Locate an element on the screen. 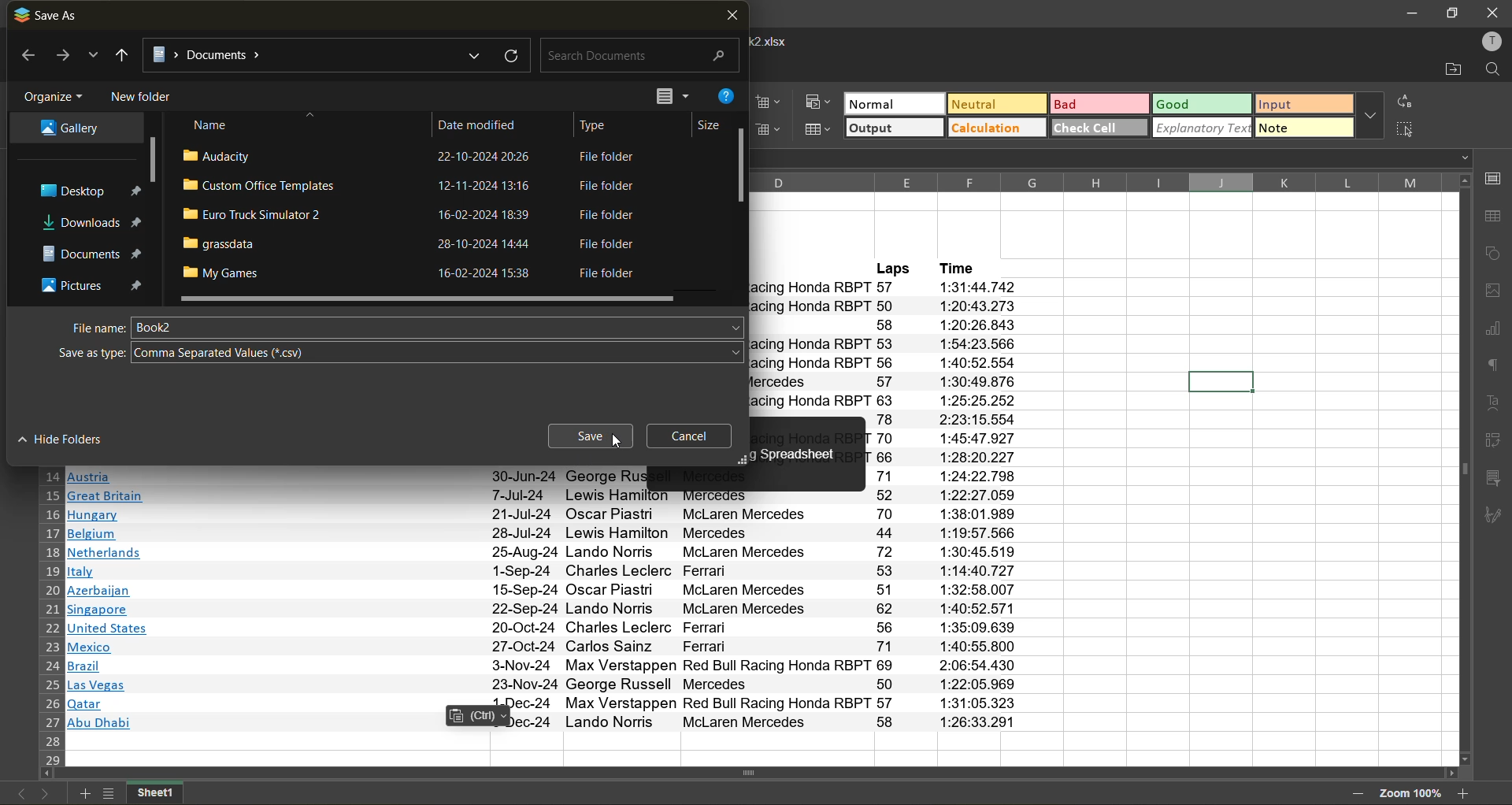 The height and width of the screenshot is (805, 1512). text info is located at coordinates (549, 666).